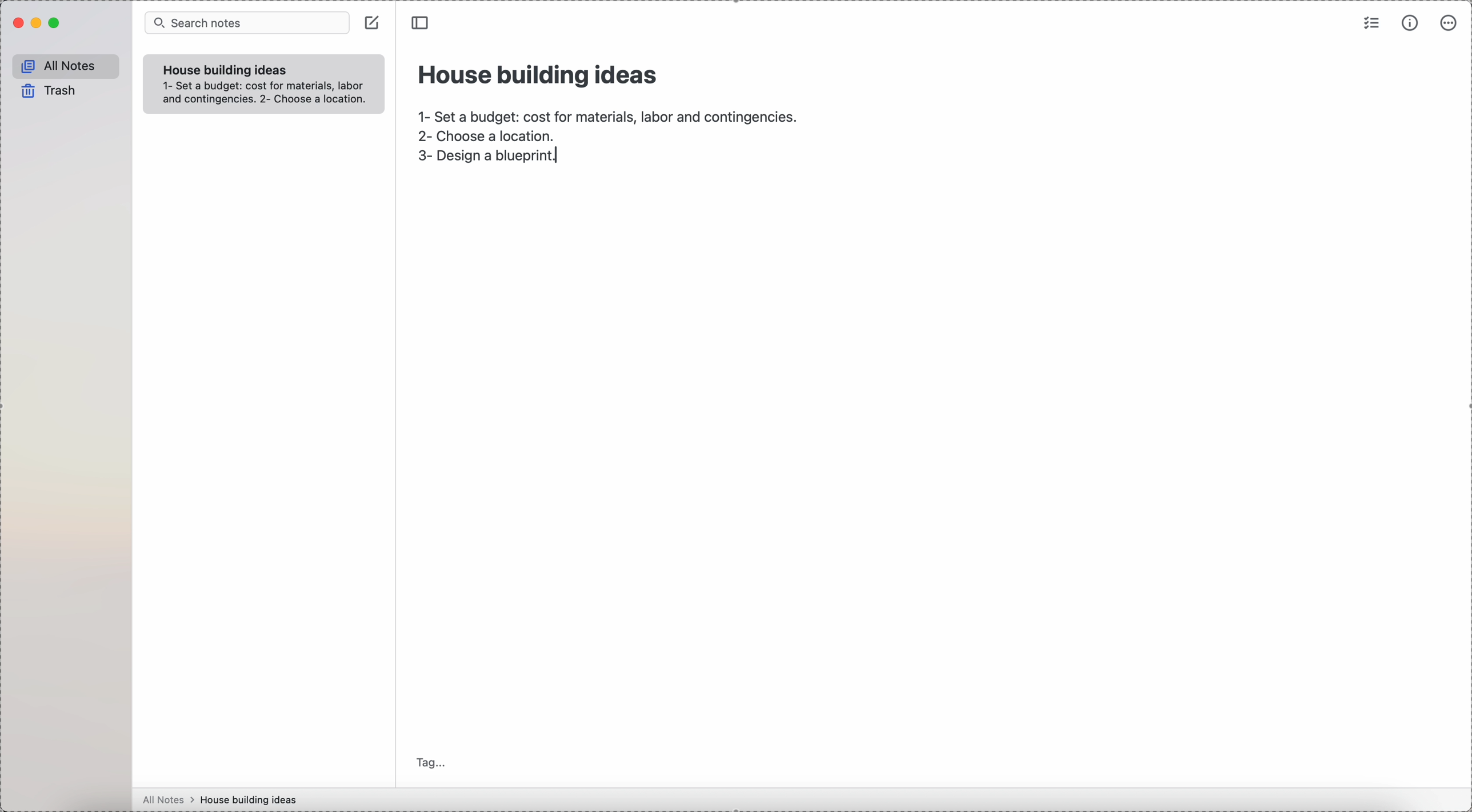 This screenshot has height=812, width=1472. What do you see at coordinates (374, 26) in the screenshot?
I see `create note` at bounding box center [374, 26].